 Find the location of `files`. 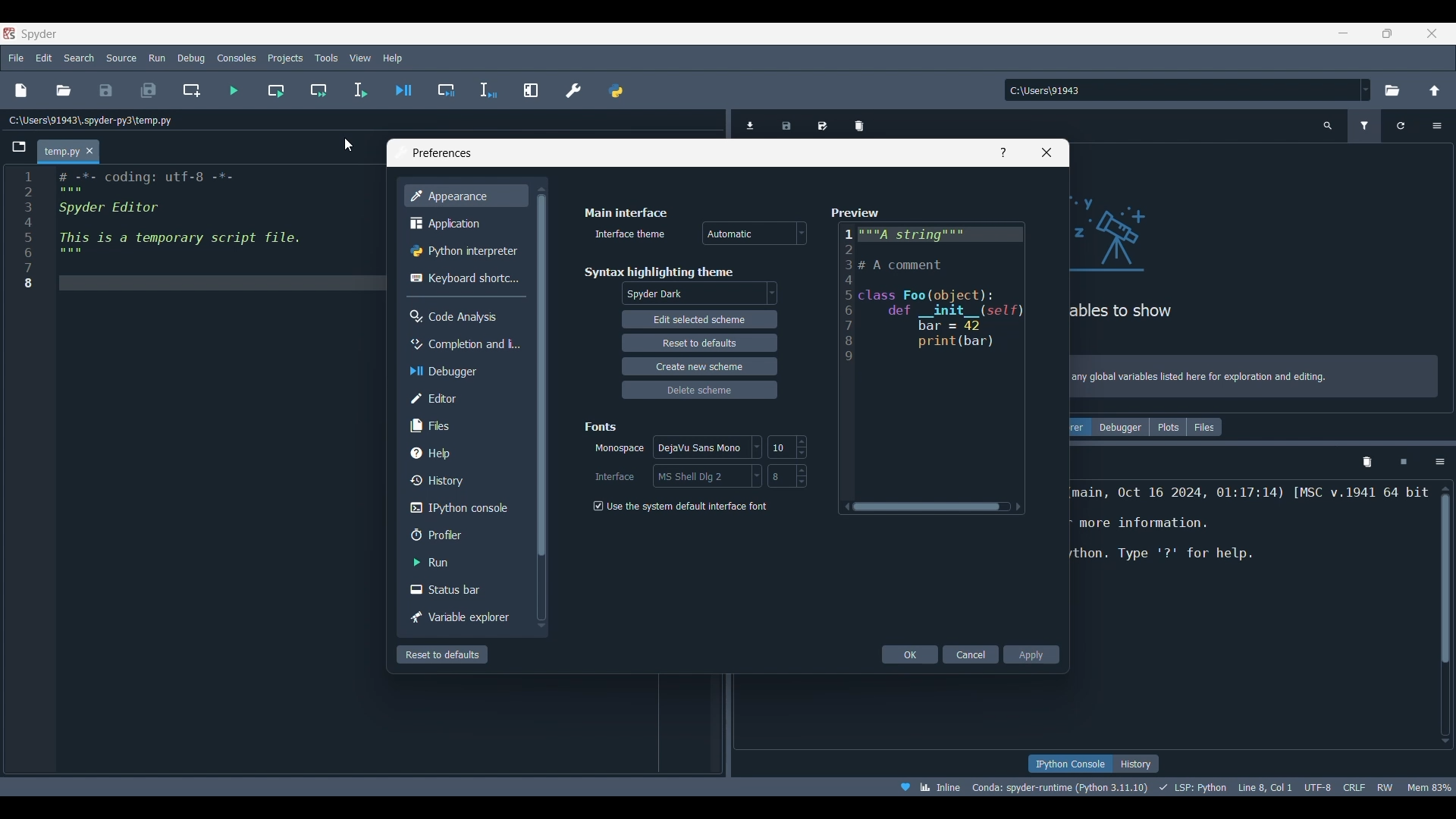

files is located at coordinates (437, 425).